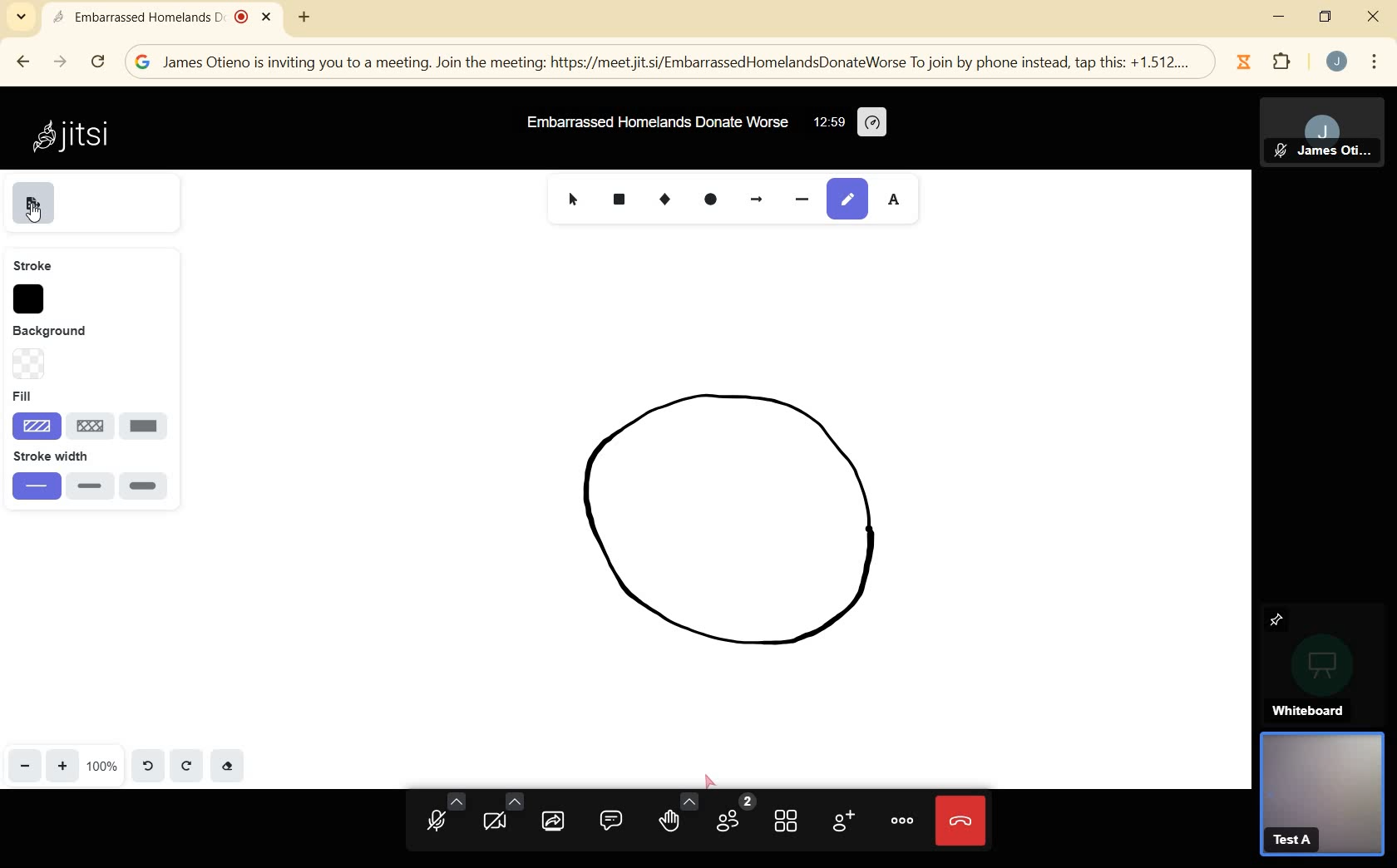 This screenshot has height=868, width=1397. I want to click on performance settings, so click(871, 123).